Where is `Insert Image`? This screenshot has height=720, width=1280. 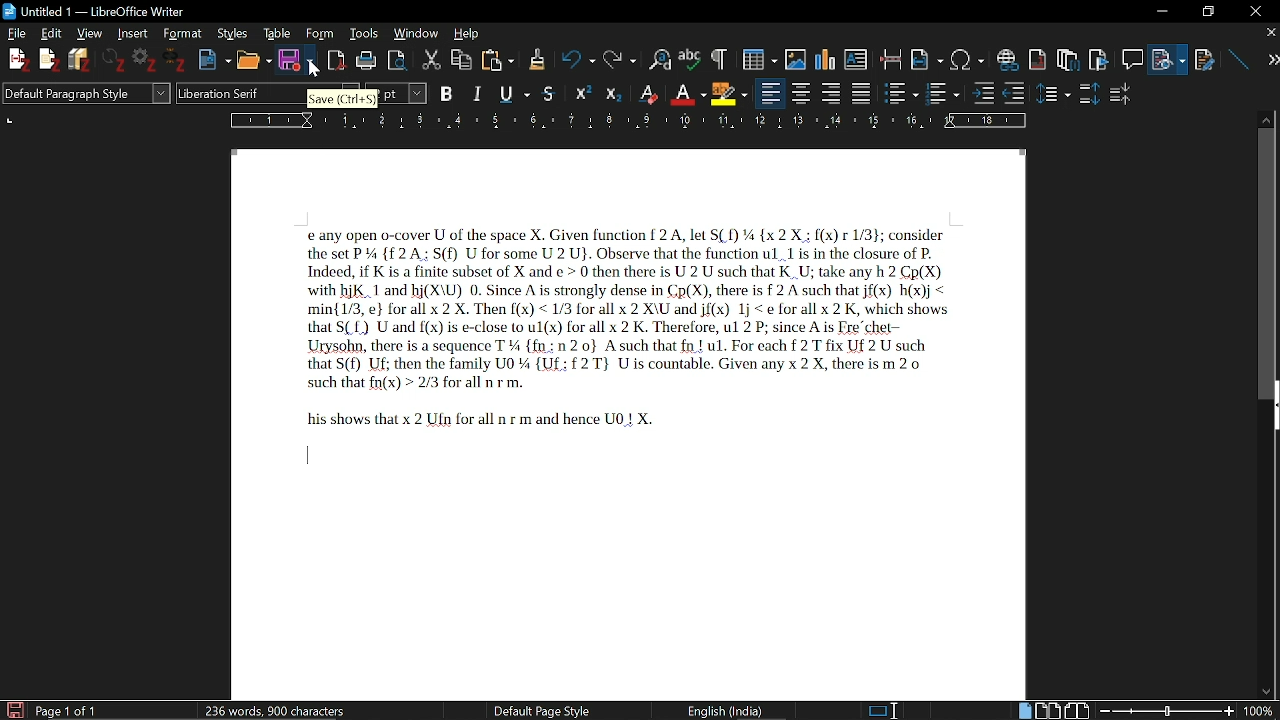
Insert Image is located at coordinates (788, 56).